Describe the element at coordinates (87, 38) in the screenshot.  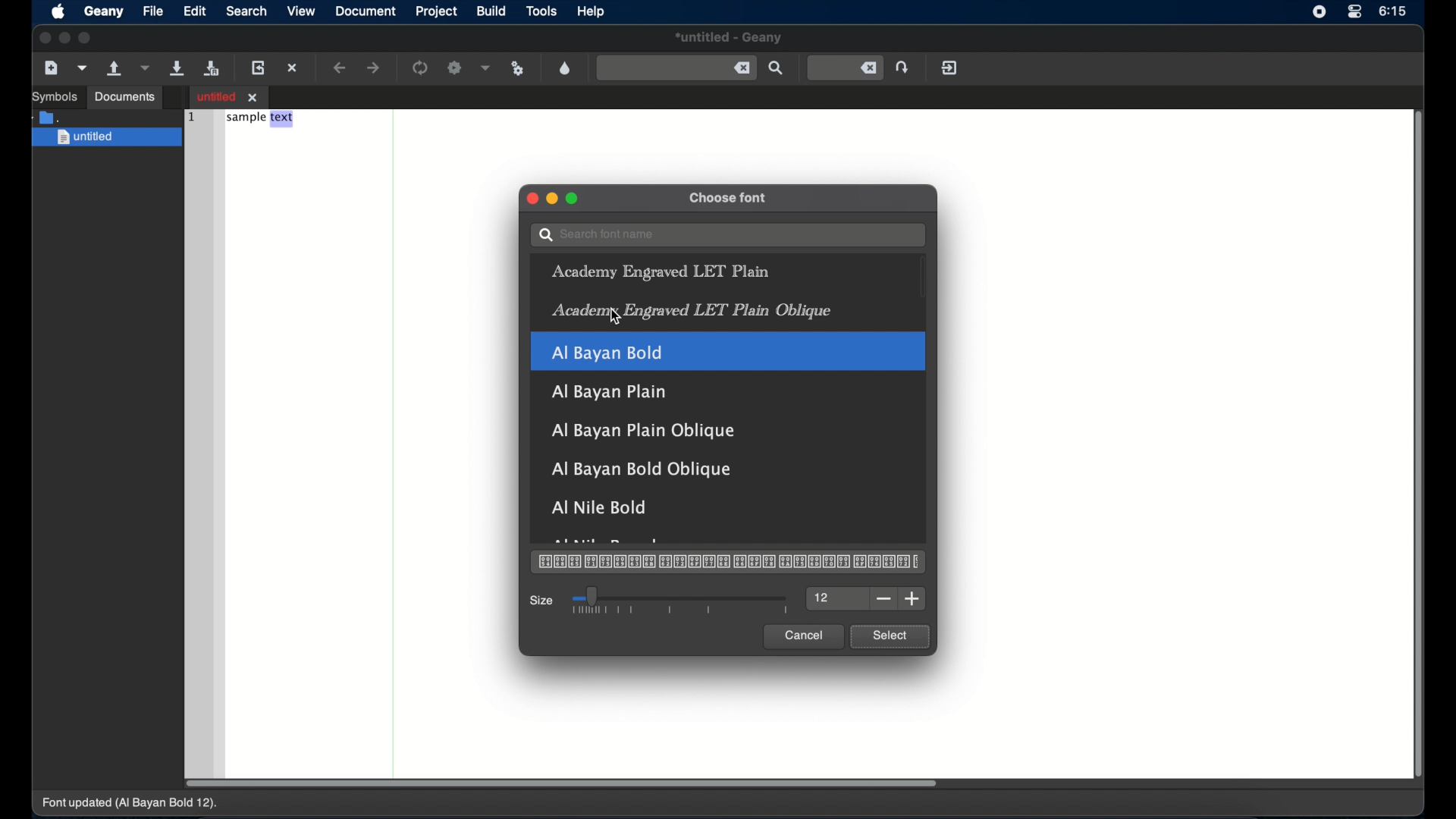
I see `maximize` at that location.